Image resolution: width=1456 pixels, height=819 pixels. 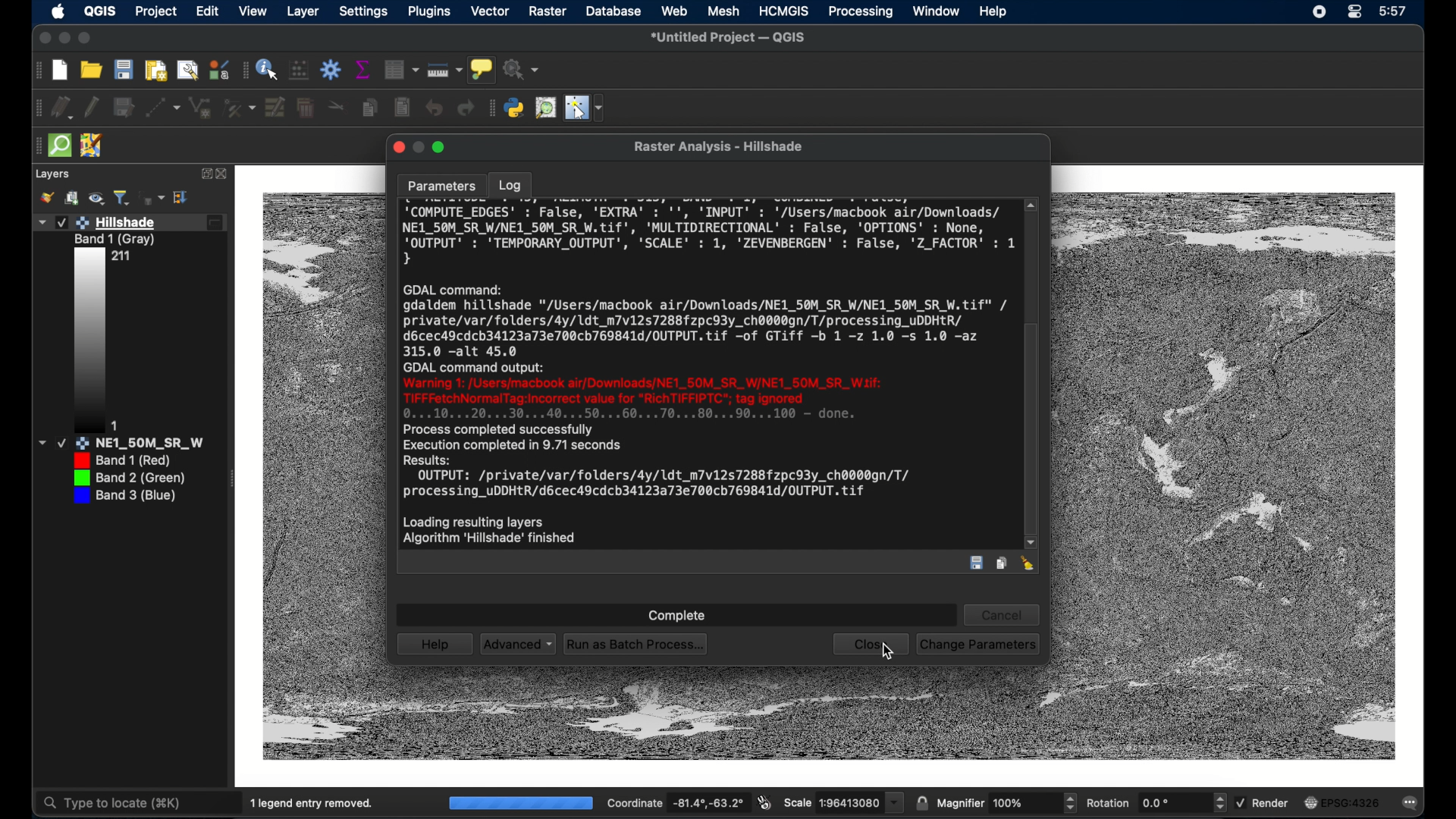 I want to click on drag handle, so click(x=243, y=70).